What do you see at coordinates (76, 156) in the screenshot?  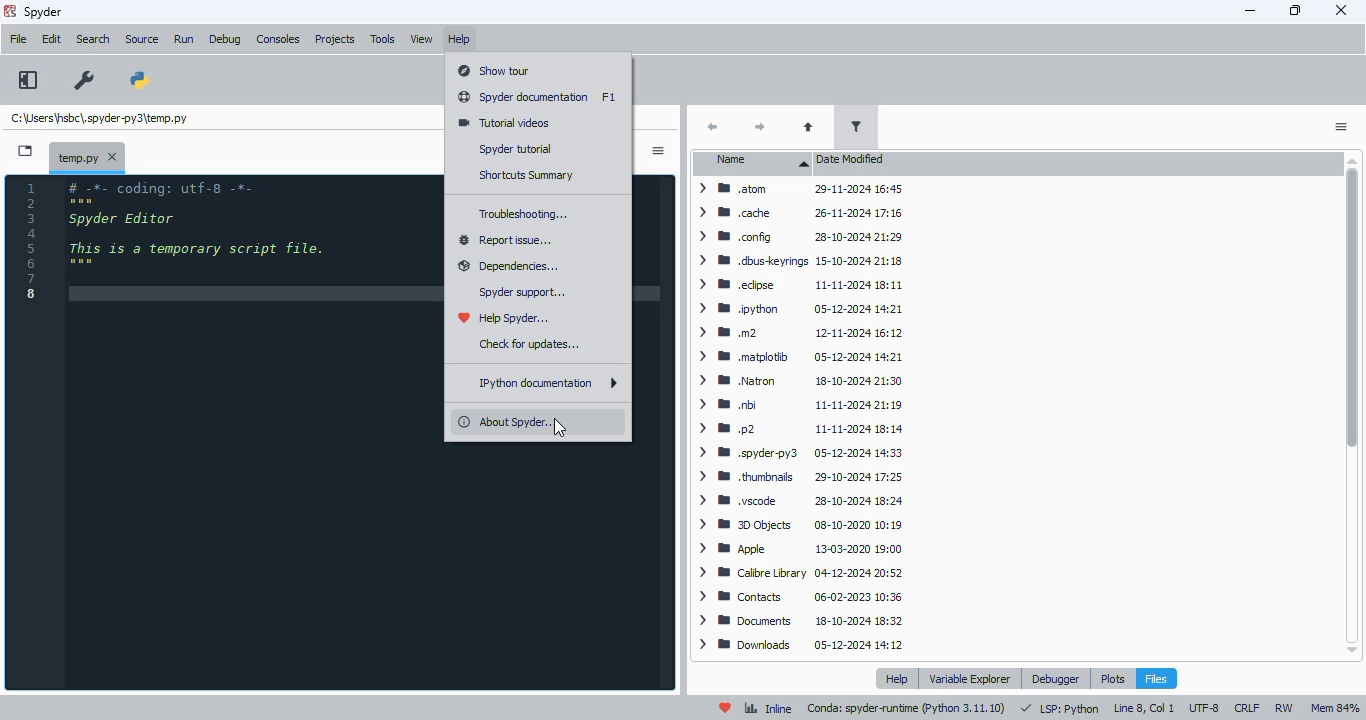 I see `temporary file` at bounding box center [76, 156].